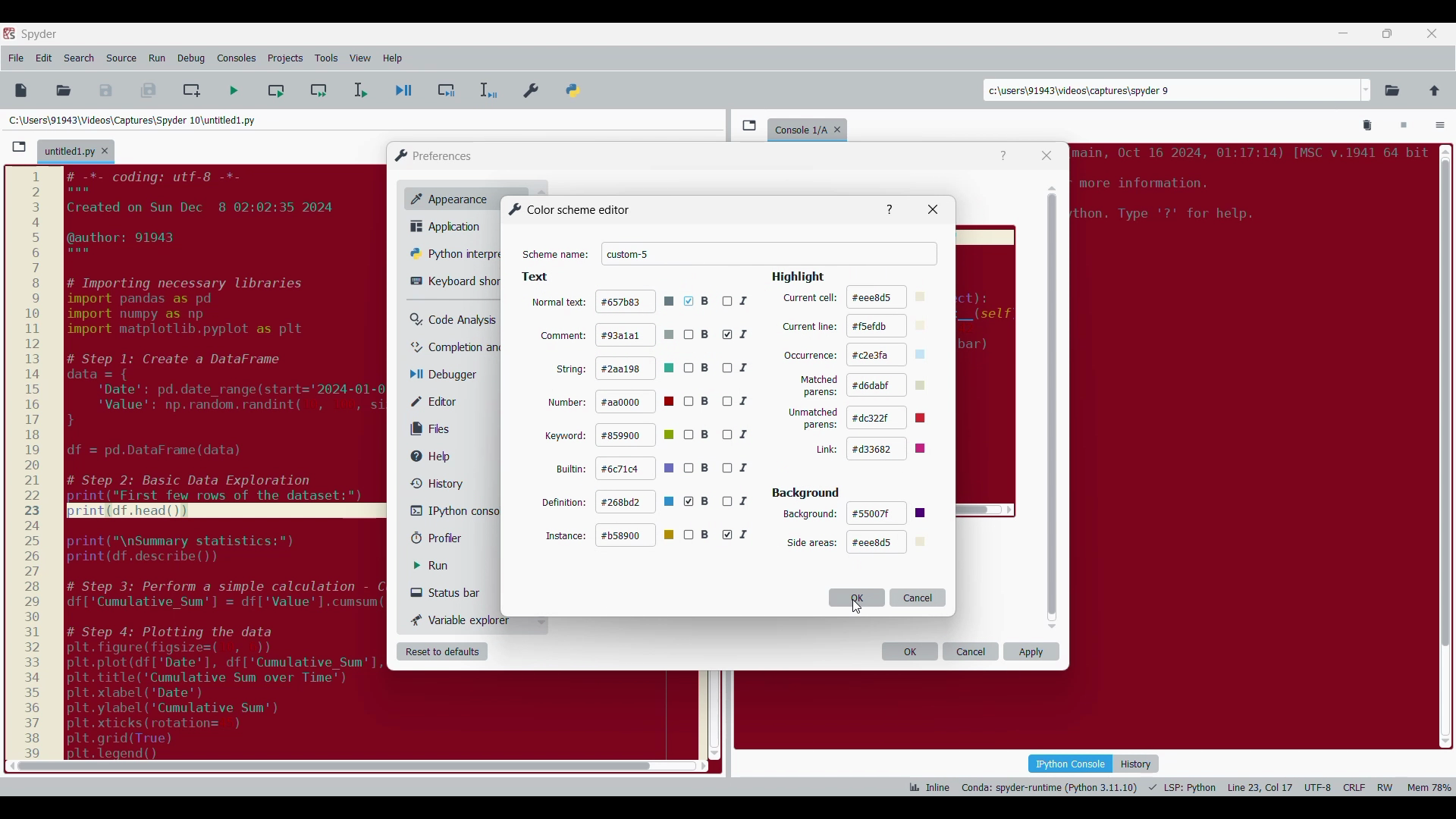  What do you see at coordinates (20, 90) in the screenshot?
I see `New file` at bounding box center [20, 90].